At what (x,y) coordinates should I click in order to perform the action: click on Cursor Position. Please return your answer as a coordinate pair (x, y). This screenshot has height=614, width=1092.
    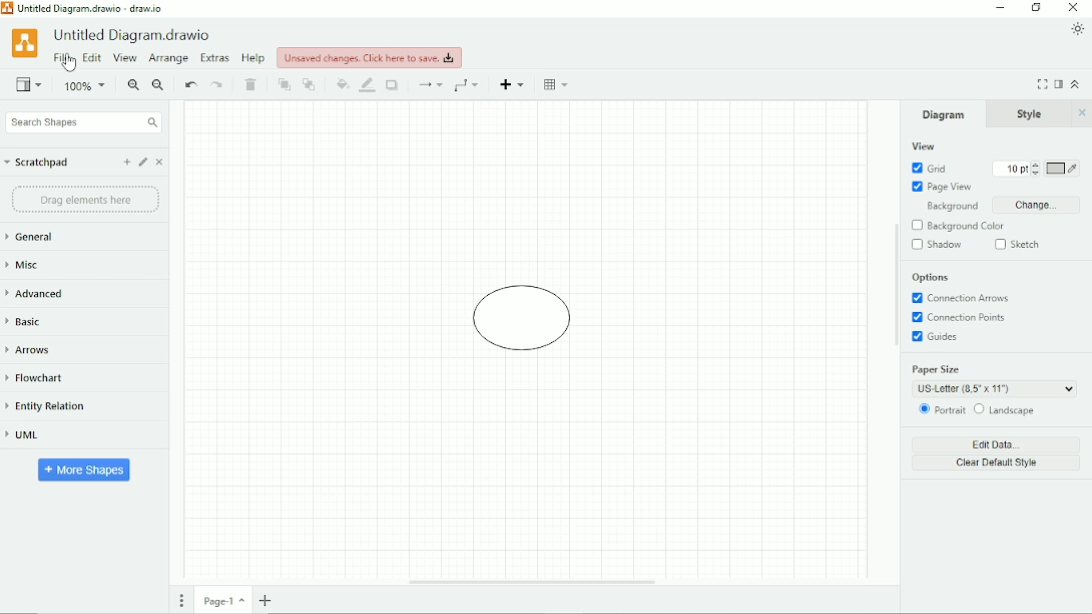
    Looking at the image, I should click on (68, 62).